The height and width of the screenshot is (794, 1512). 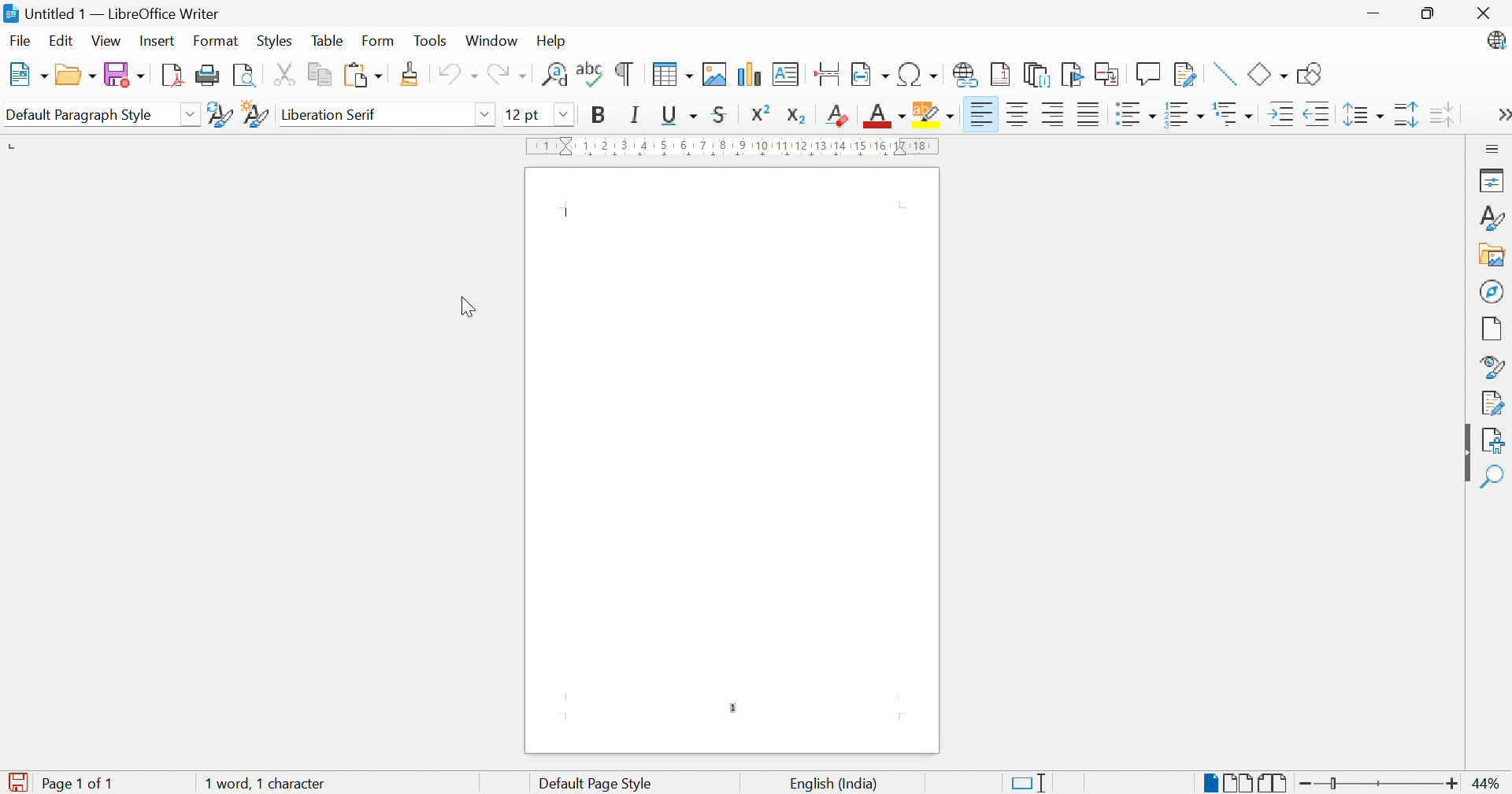 What do you see at coordinates (1242, 784) in the screenshot?
I see `Multiple-page view` at bounding box center [1242, 784].